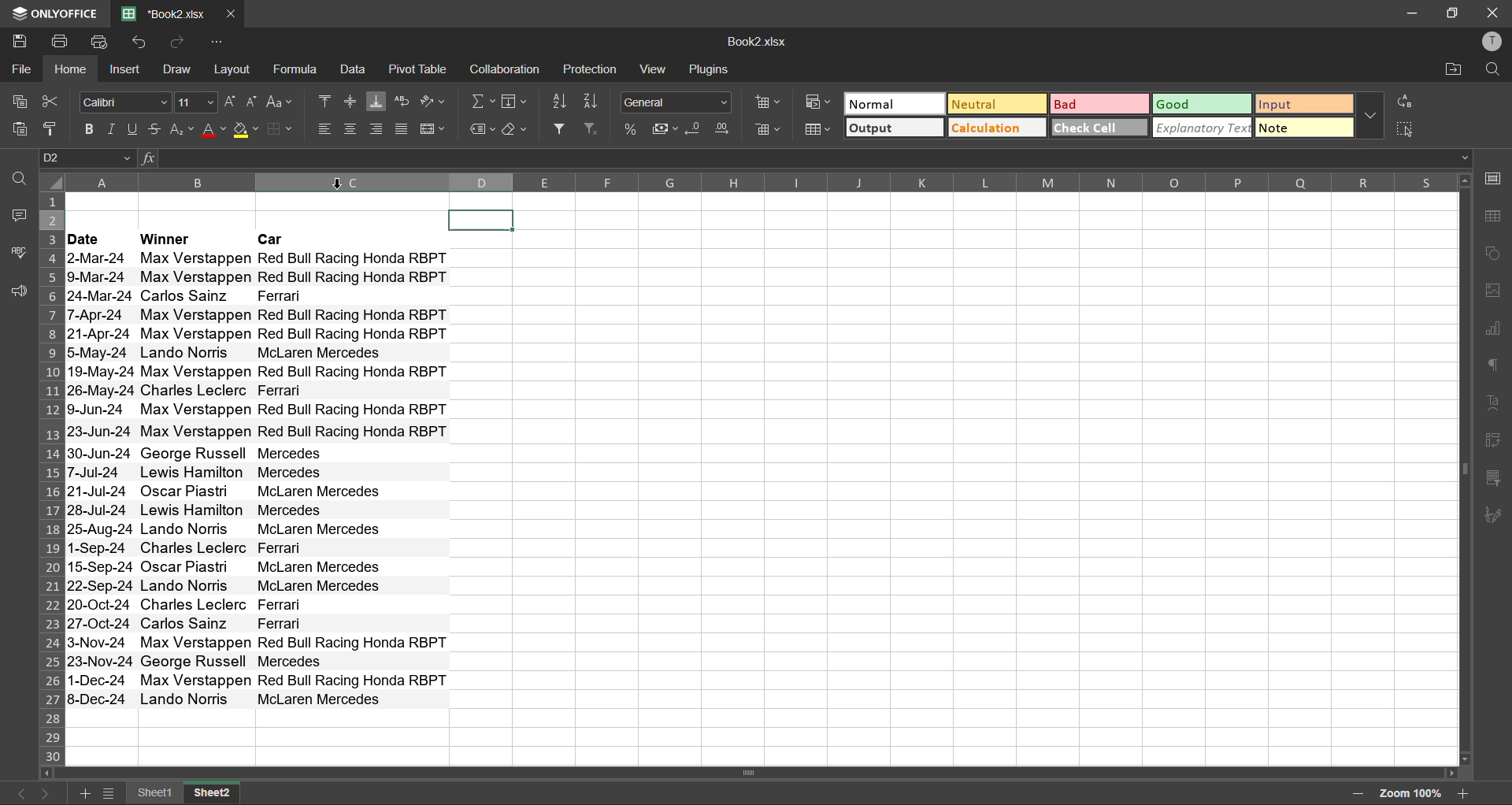  I want to click on home, so click(72, 70).